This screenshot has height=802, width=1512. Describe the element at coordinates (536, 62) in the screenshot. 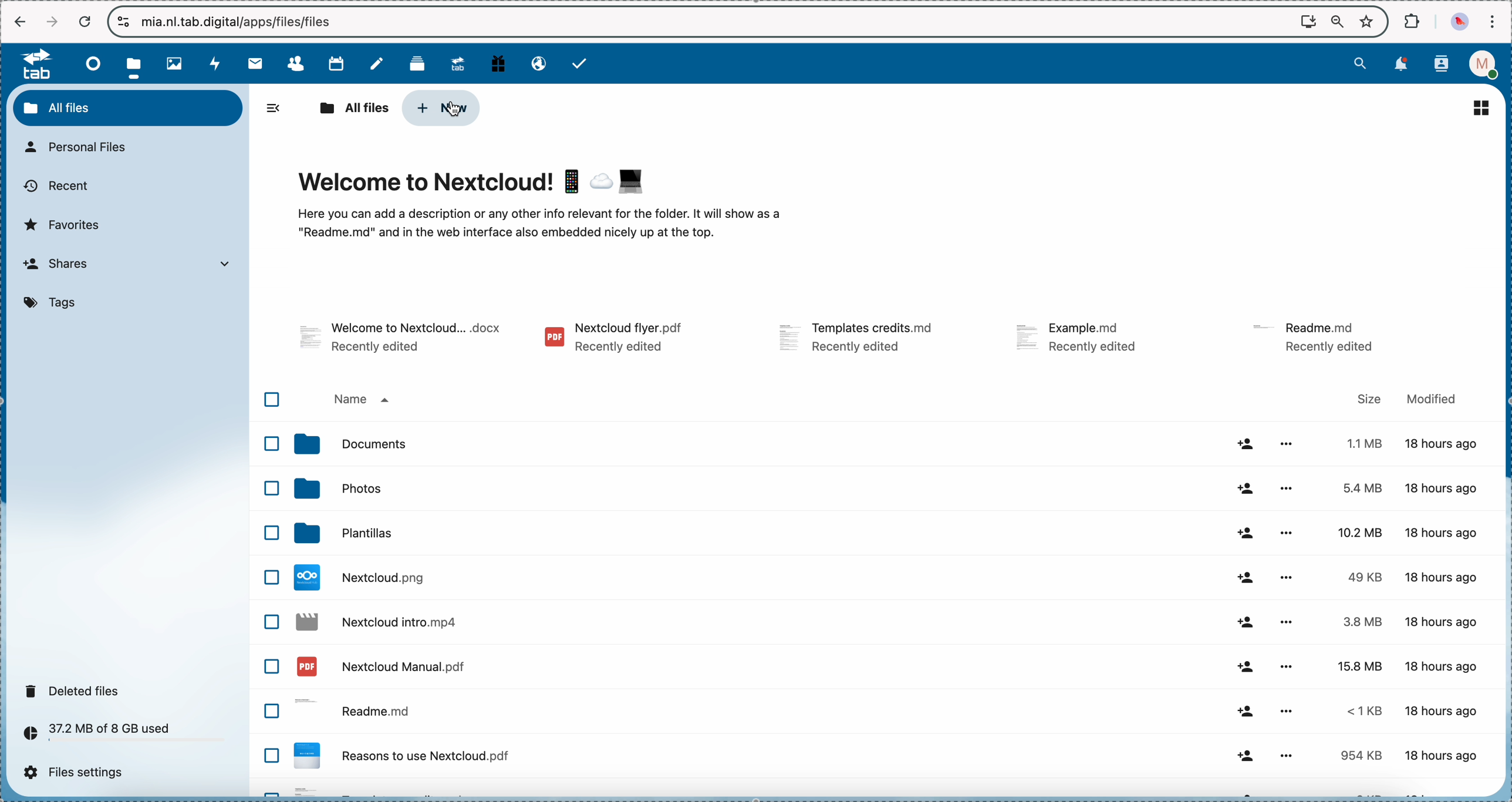

I see `email` at that location.